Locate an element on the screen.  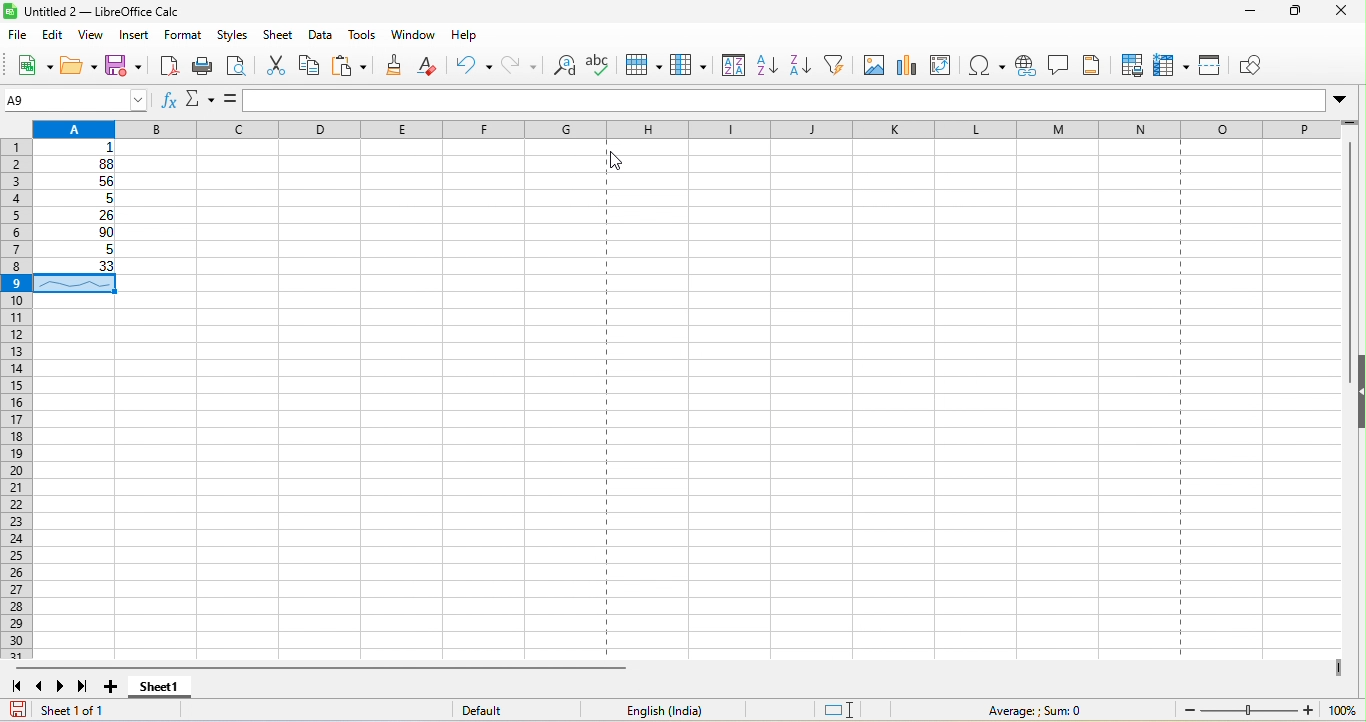
row is located at coordinates (641, 67).